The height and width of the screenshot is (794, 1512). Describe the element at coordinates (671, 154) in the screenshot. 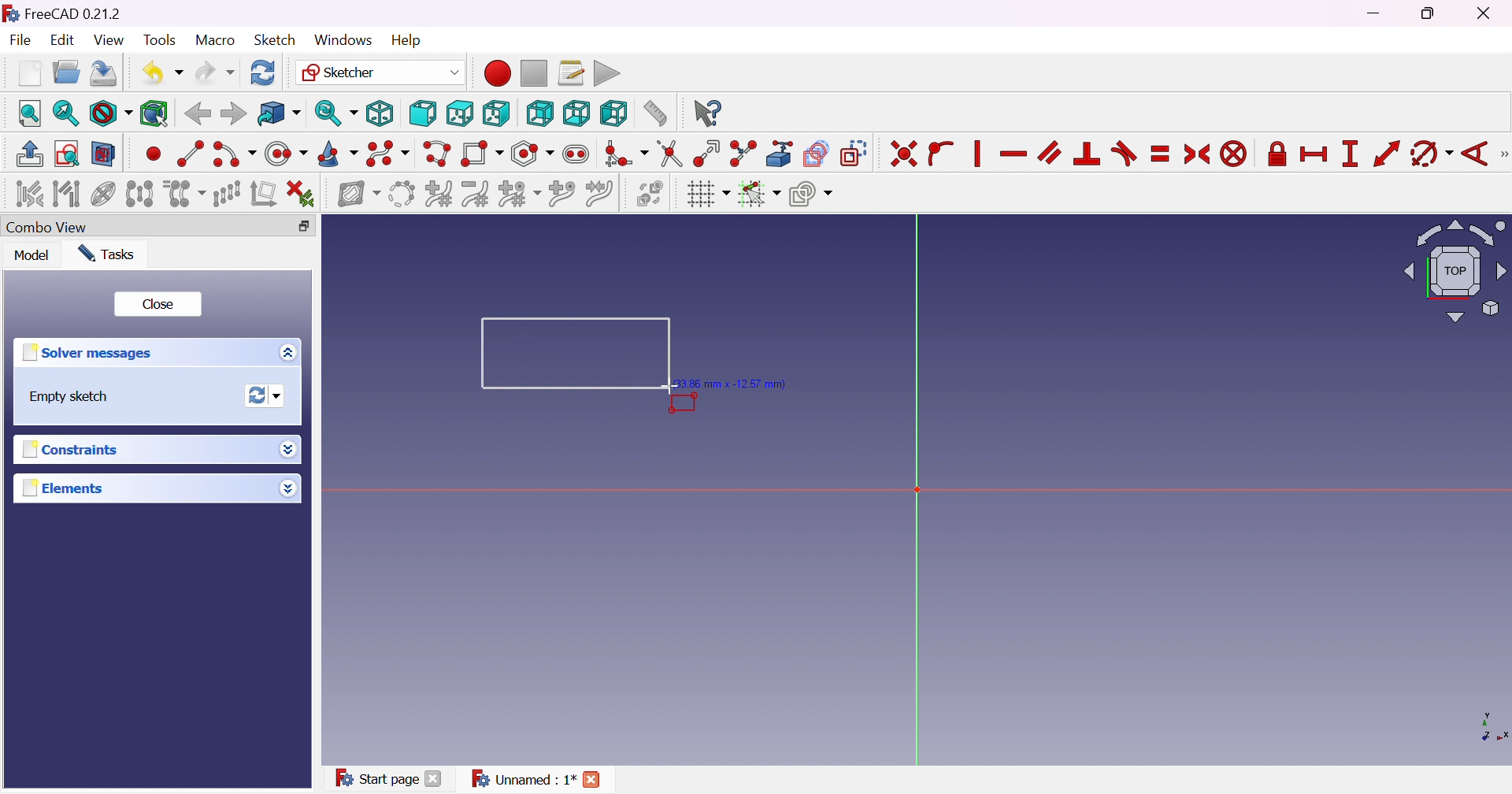

I see `Trim edge` at that location.